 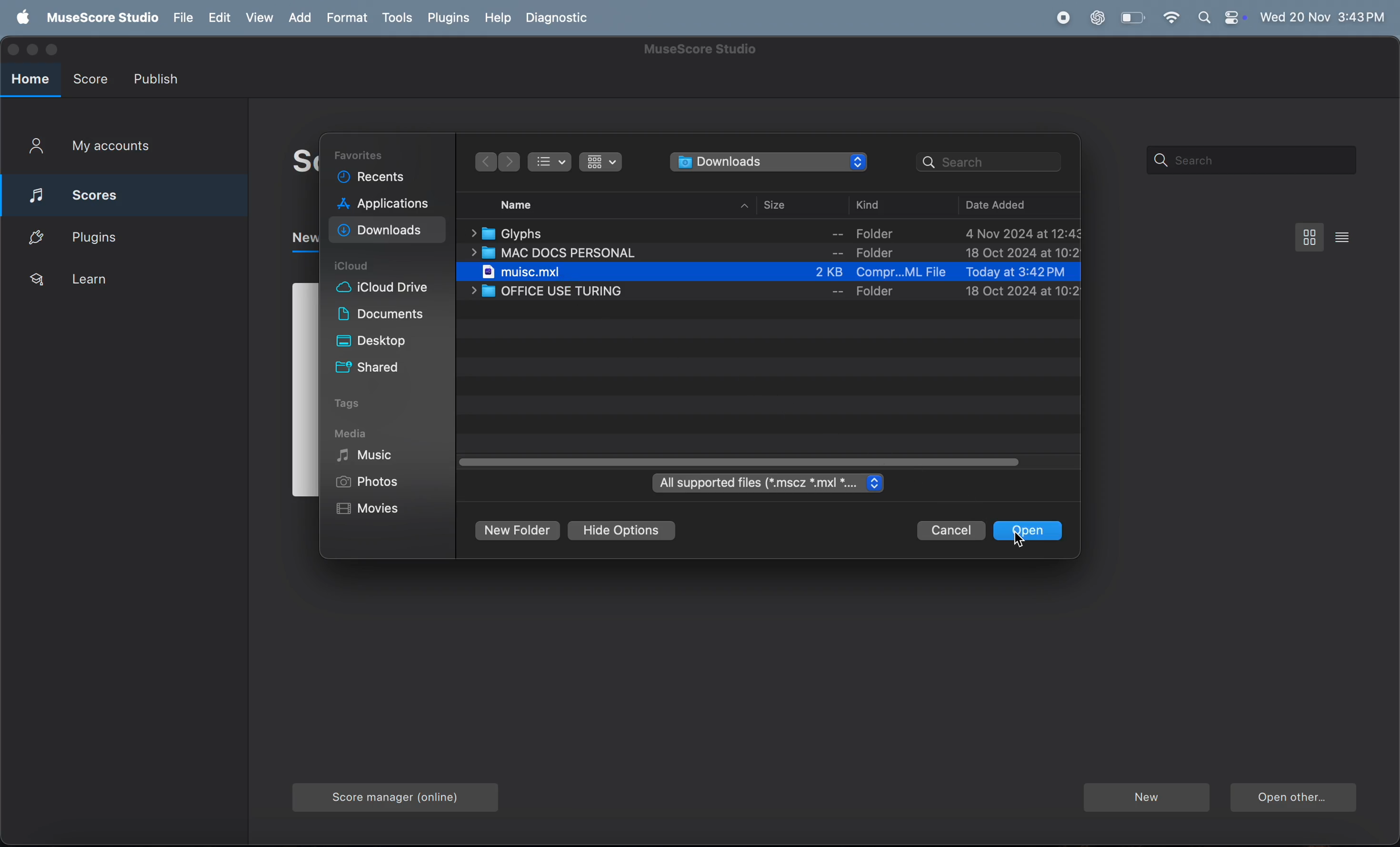 I want to click on photos, so click(x=369, y=481).